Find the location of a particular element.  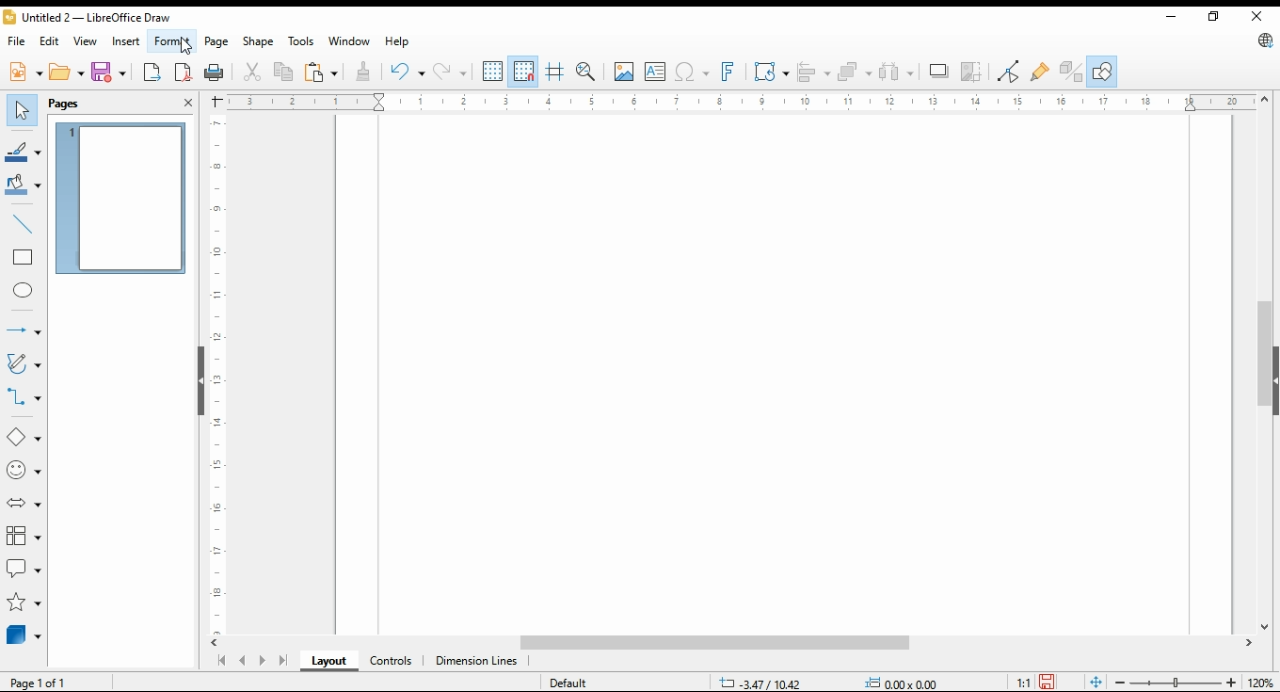

show draw functions is located at coordinates (1100, 72).